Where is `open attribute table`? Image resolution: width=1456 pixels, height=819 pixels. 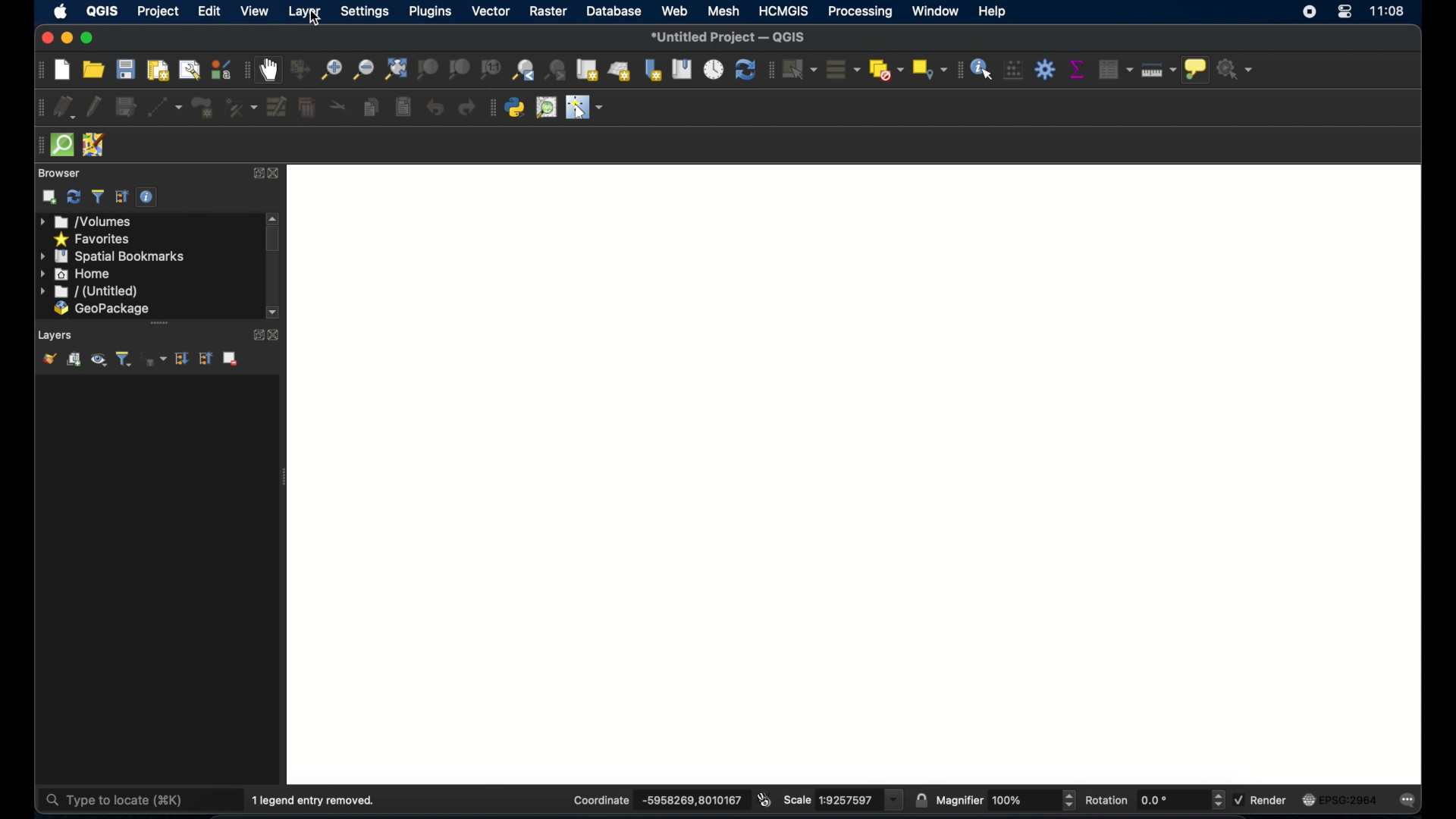
open attribute table is located at coordinates (1112, 67).